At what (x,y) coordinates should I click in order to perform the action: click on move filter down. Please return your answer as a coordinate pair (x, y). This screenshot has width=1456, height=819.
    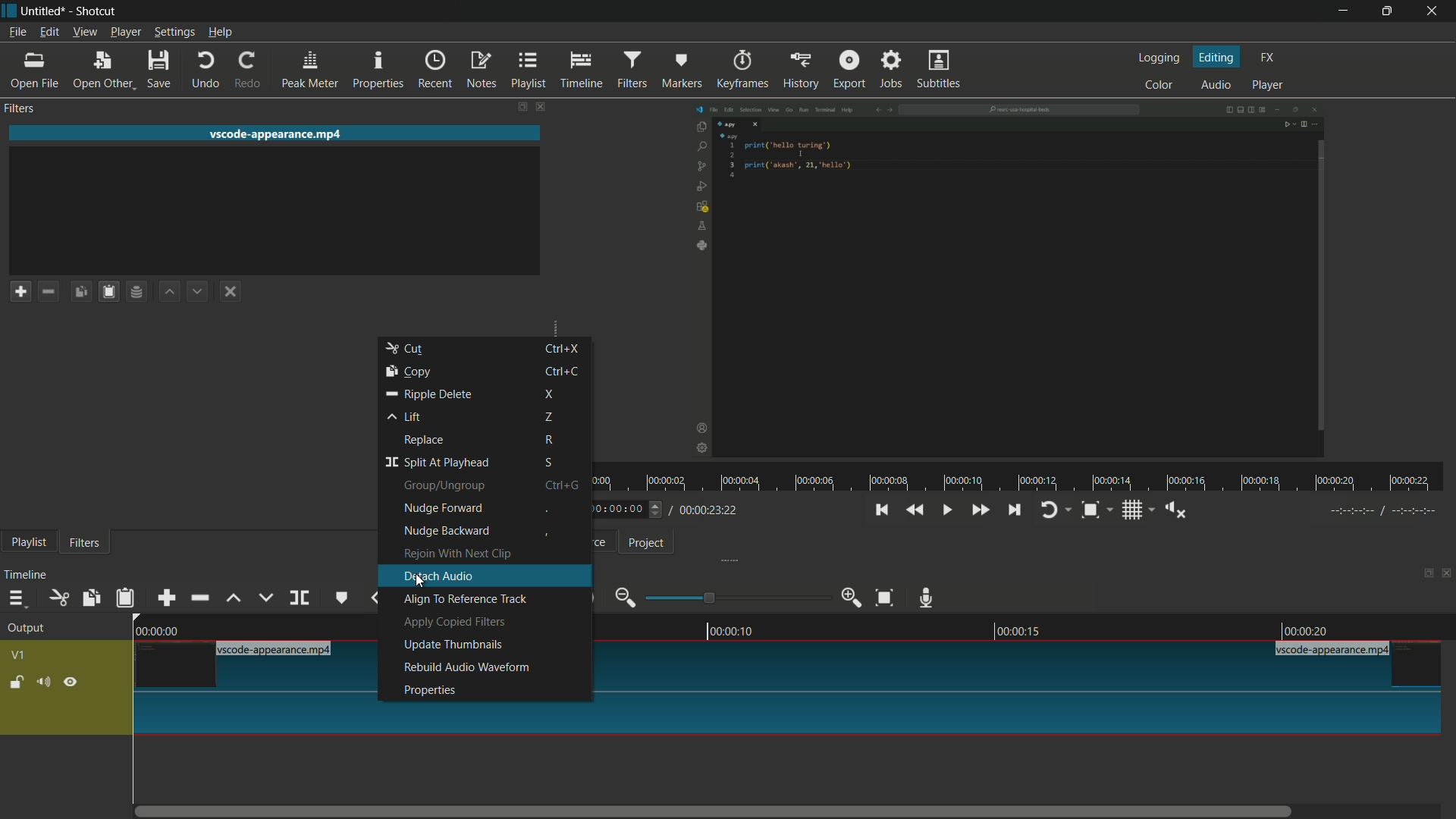
    Looking at the image, I should click on (199, 292).